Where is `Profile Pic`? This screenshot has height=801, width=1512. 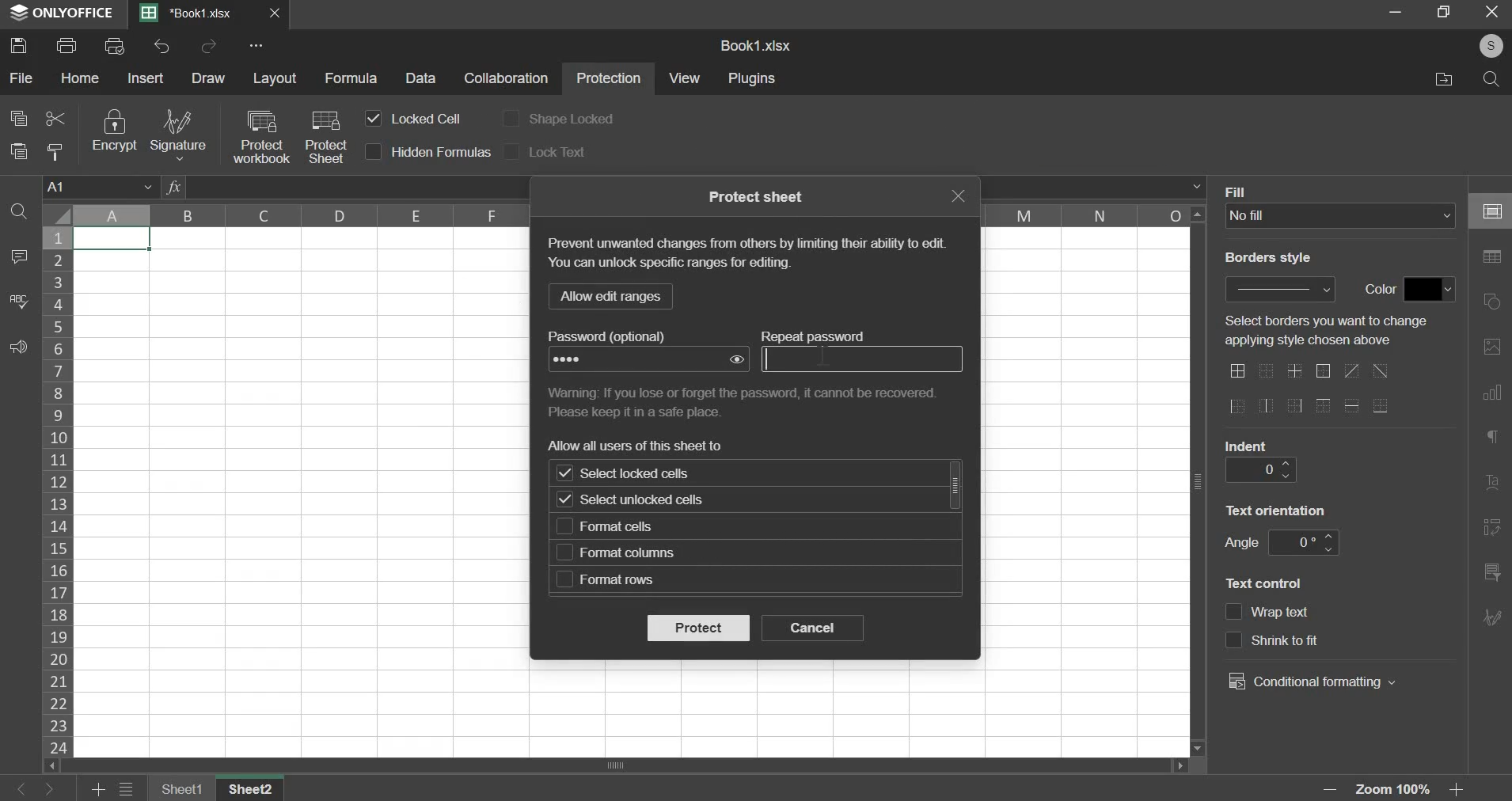 Profile Pic is located at coordinates (1486, 47).